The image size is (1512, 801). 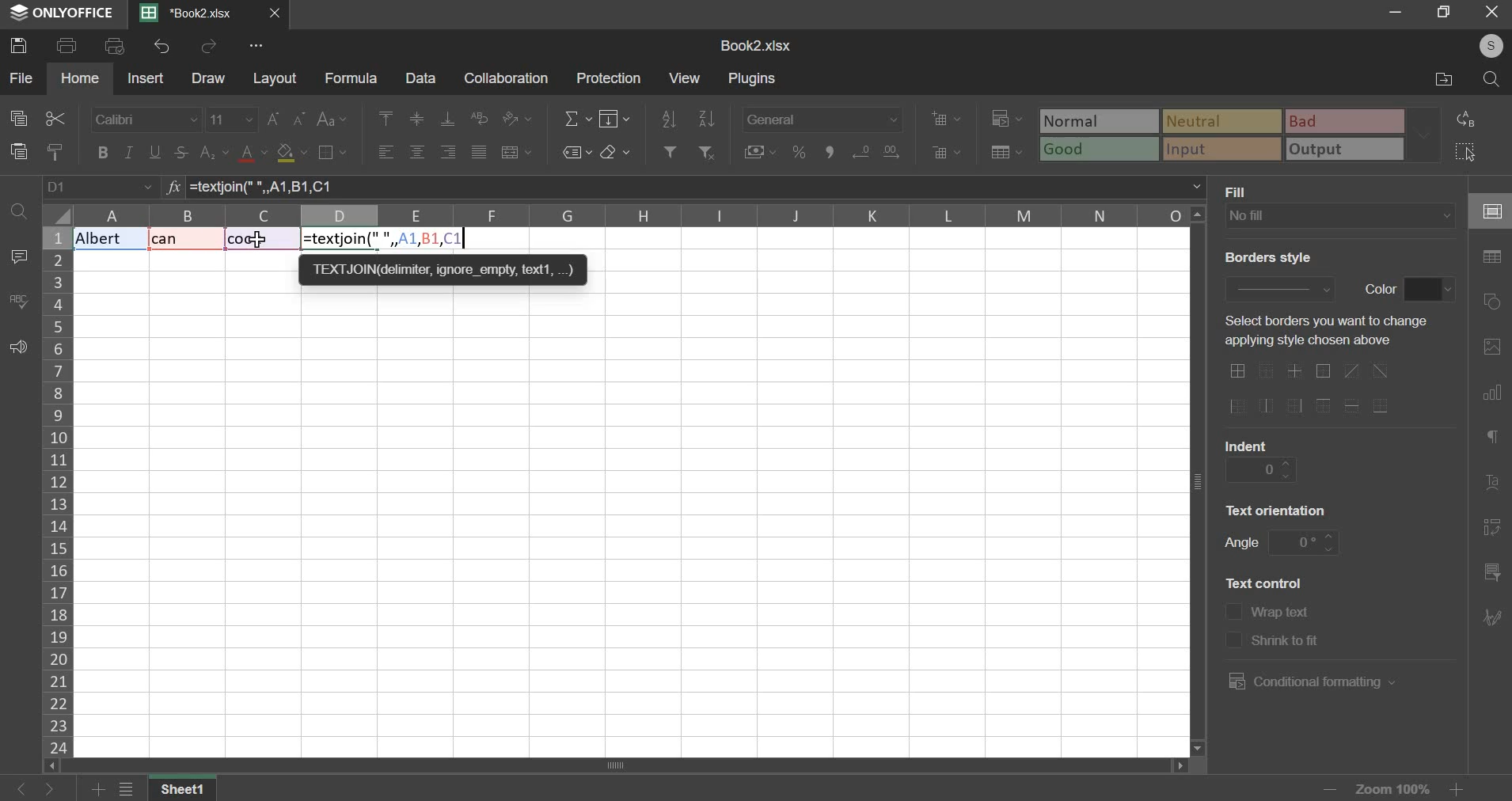 I want to click on shapes, so click(x=1495, y=302).